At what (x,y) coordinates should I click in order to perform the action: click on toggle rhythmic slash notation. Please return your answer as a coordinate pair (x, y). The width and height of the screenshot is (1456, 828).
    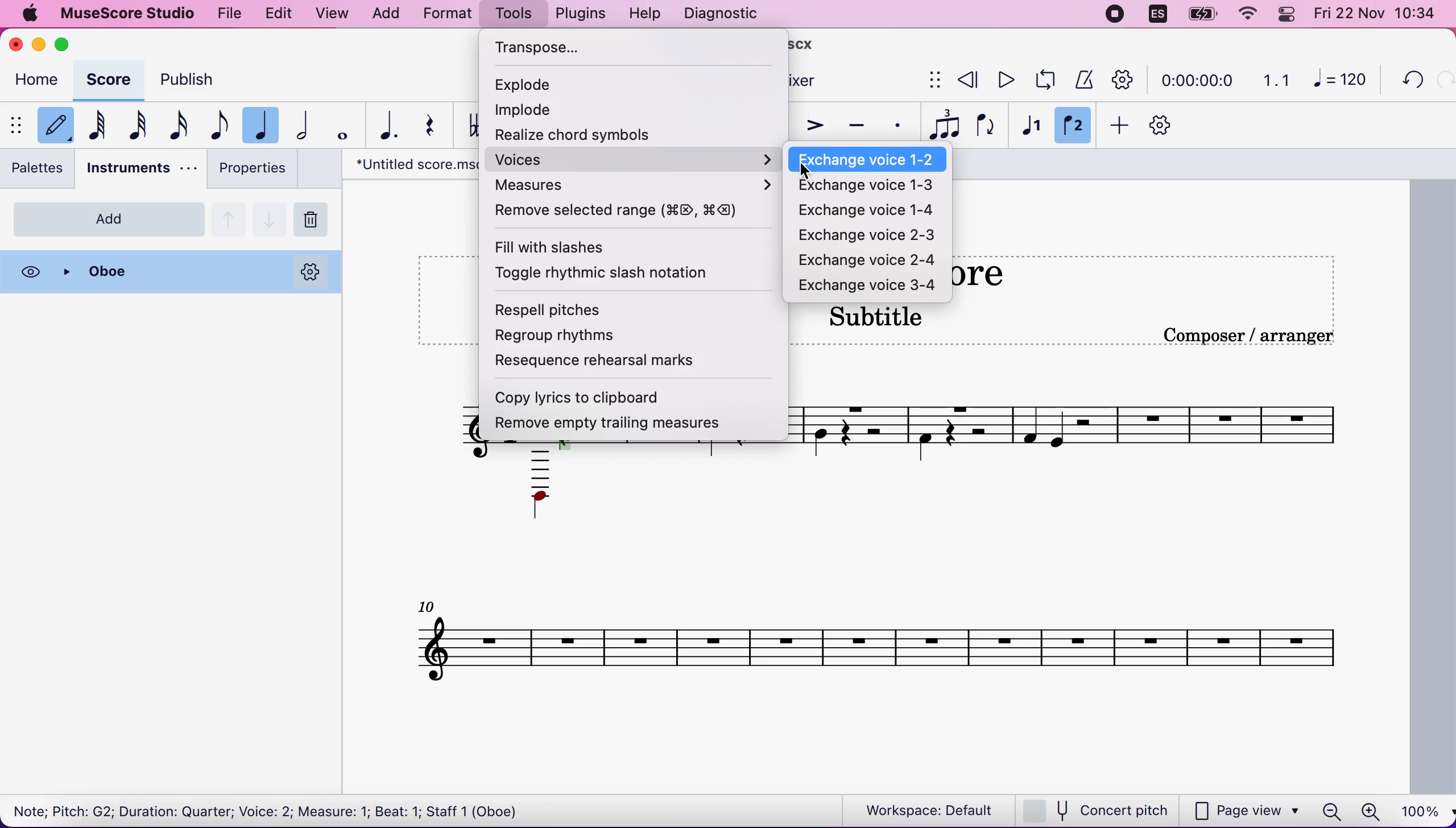
    Looking at the image, I should click on (602, 275).